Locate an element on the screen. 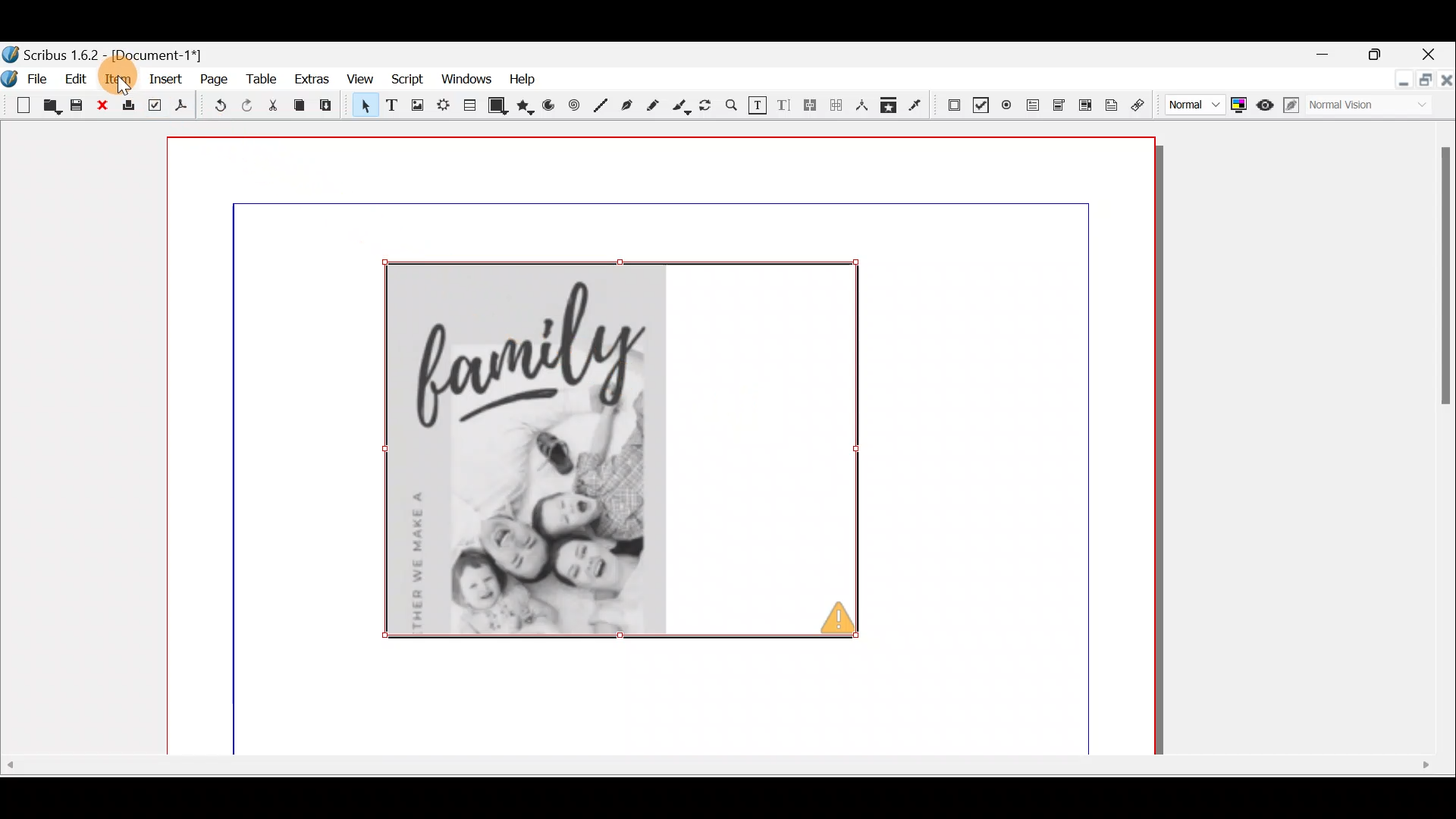 Image resolution: width=1456 pixels, height=819 pixels. Edit is located at coordinates (75, 81).